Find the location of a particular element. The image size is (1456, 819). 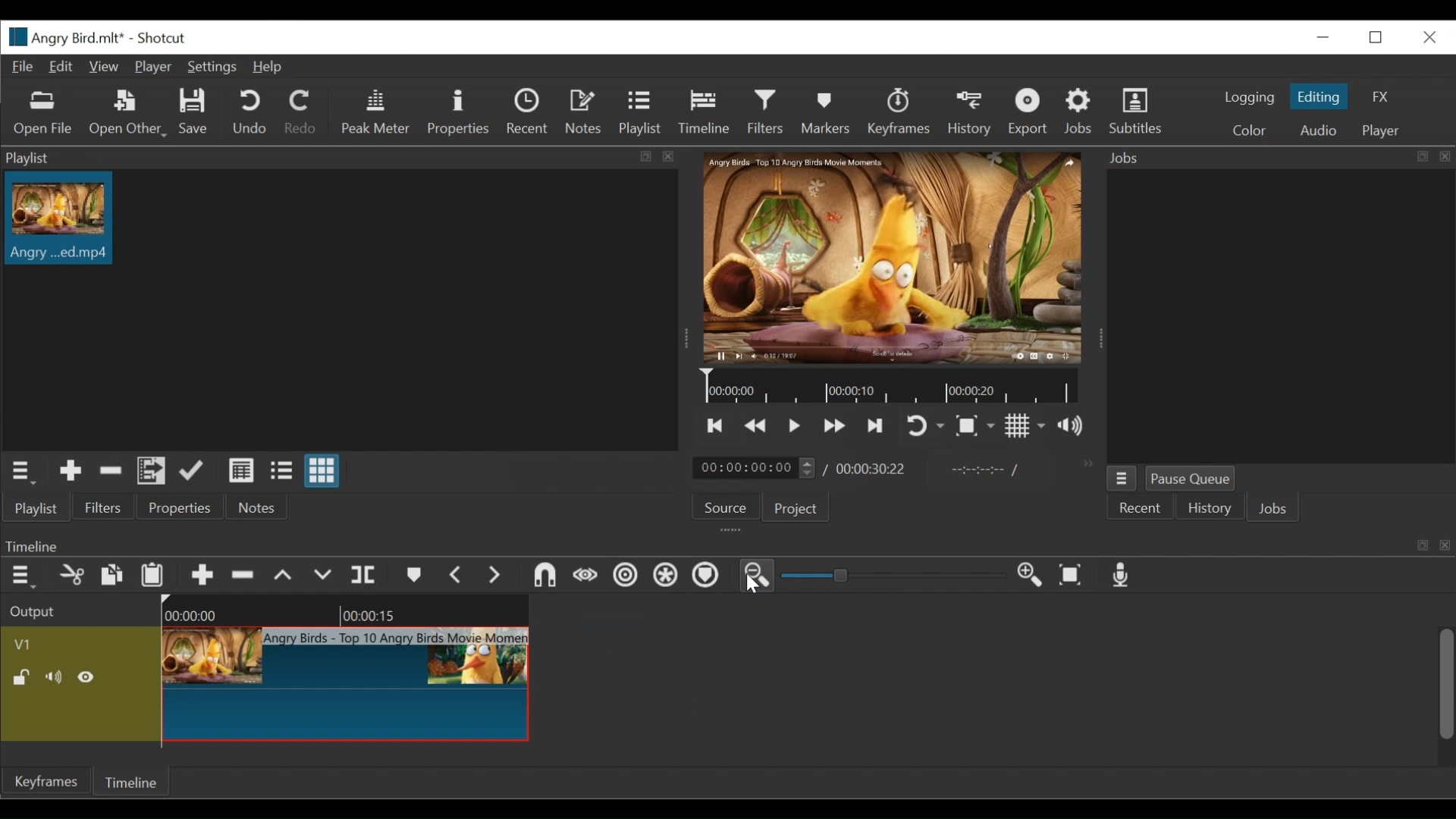

View is located at coordinates (102, 67).